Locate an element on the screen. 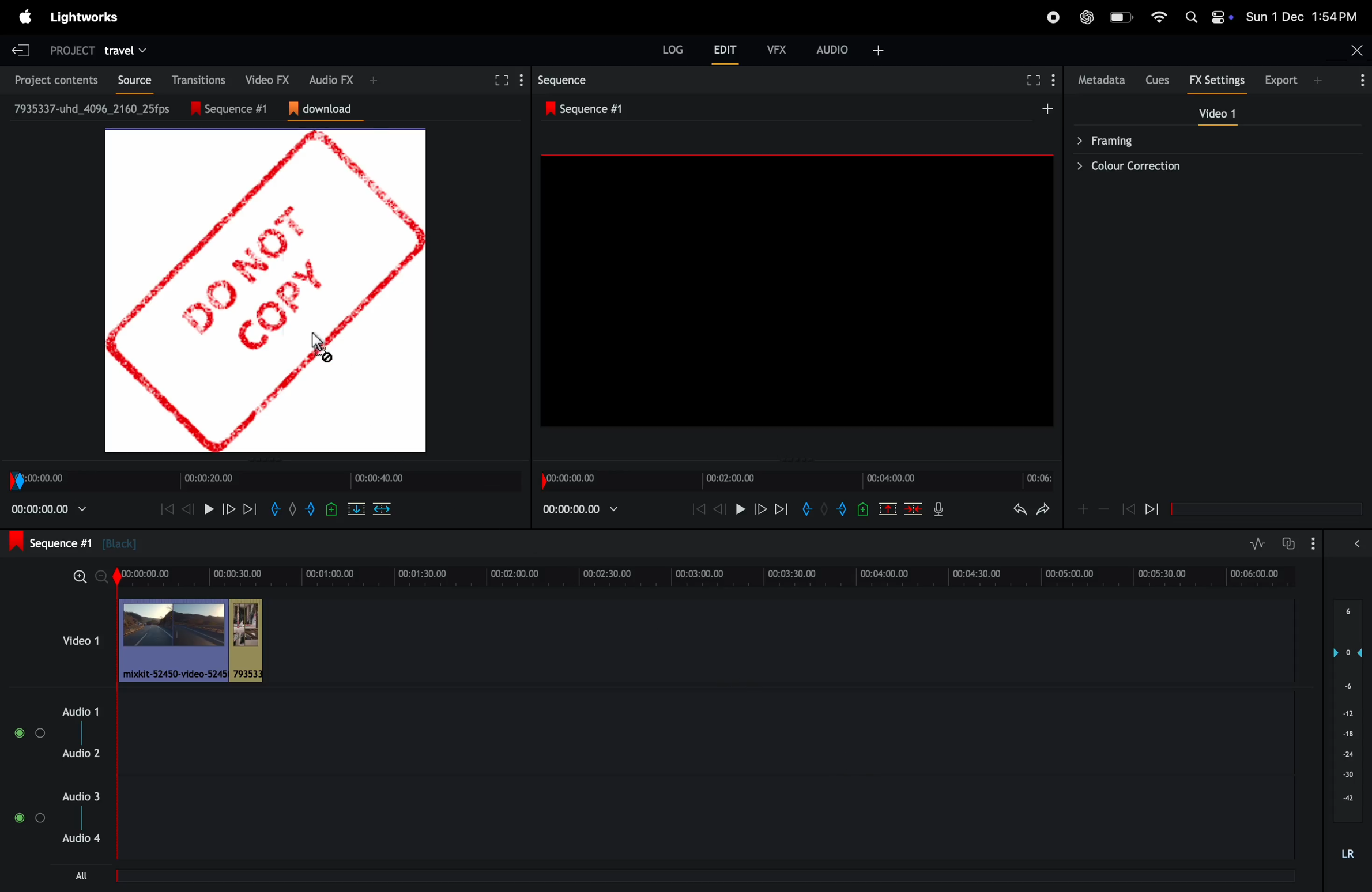  playback time is located at coordinates (579, 509).